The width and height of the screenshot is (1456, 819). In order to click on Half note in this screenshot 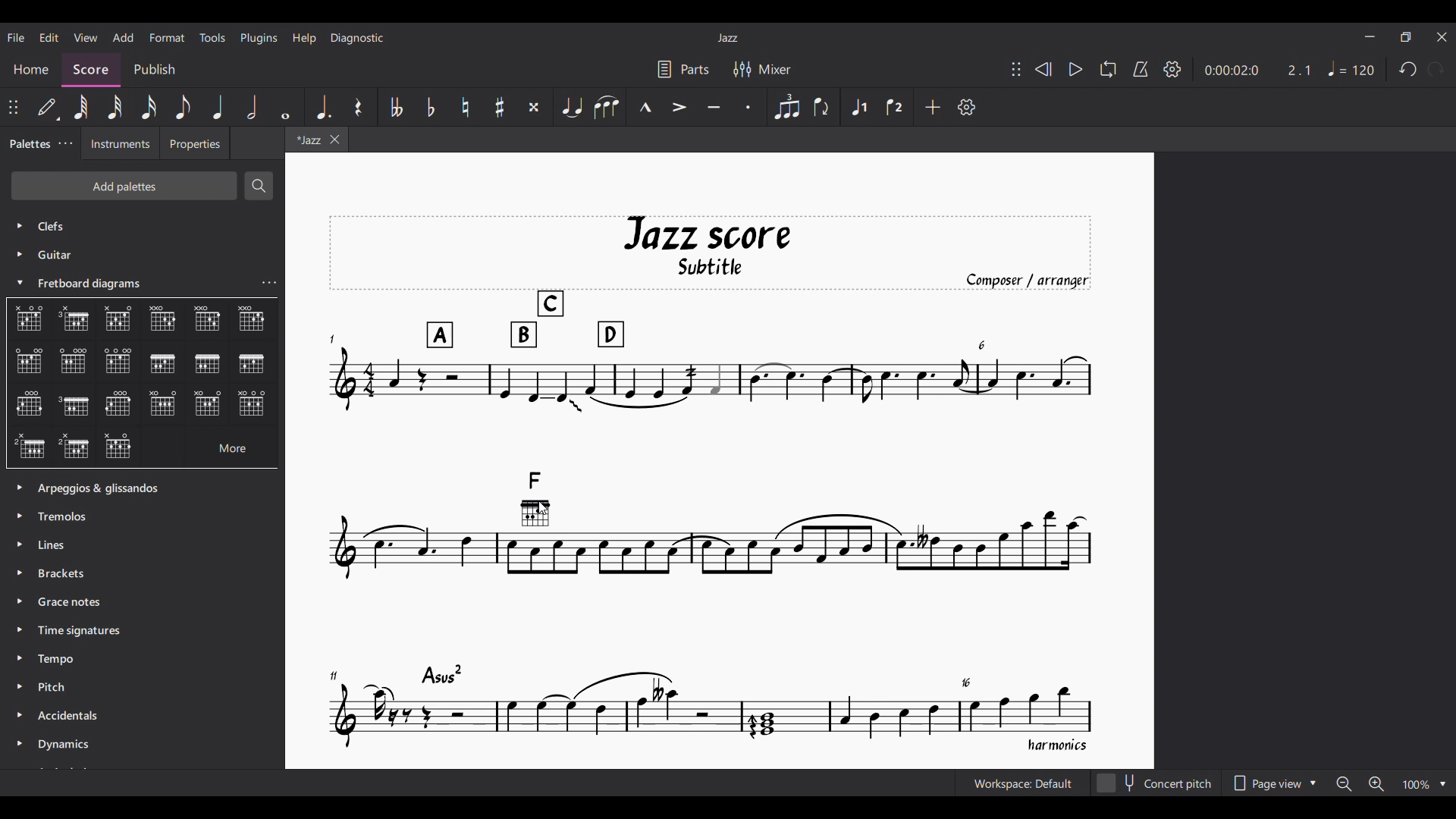, I will do `click(251, 107)`.